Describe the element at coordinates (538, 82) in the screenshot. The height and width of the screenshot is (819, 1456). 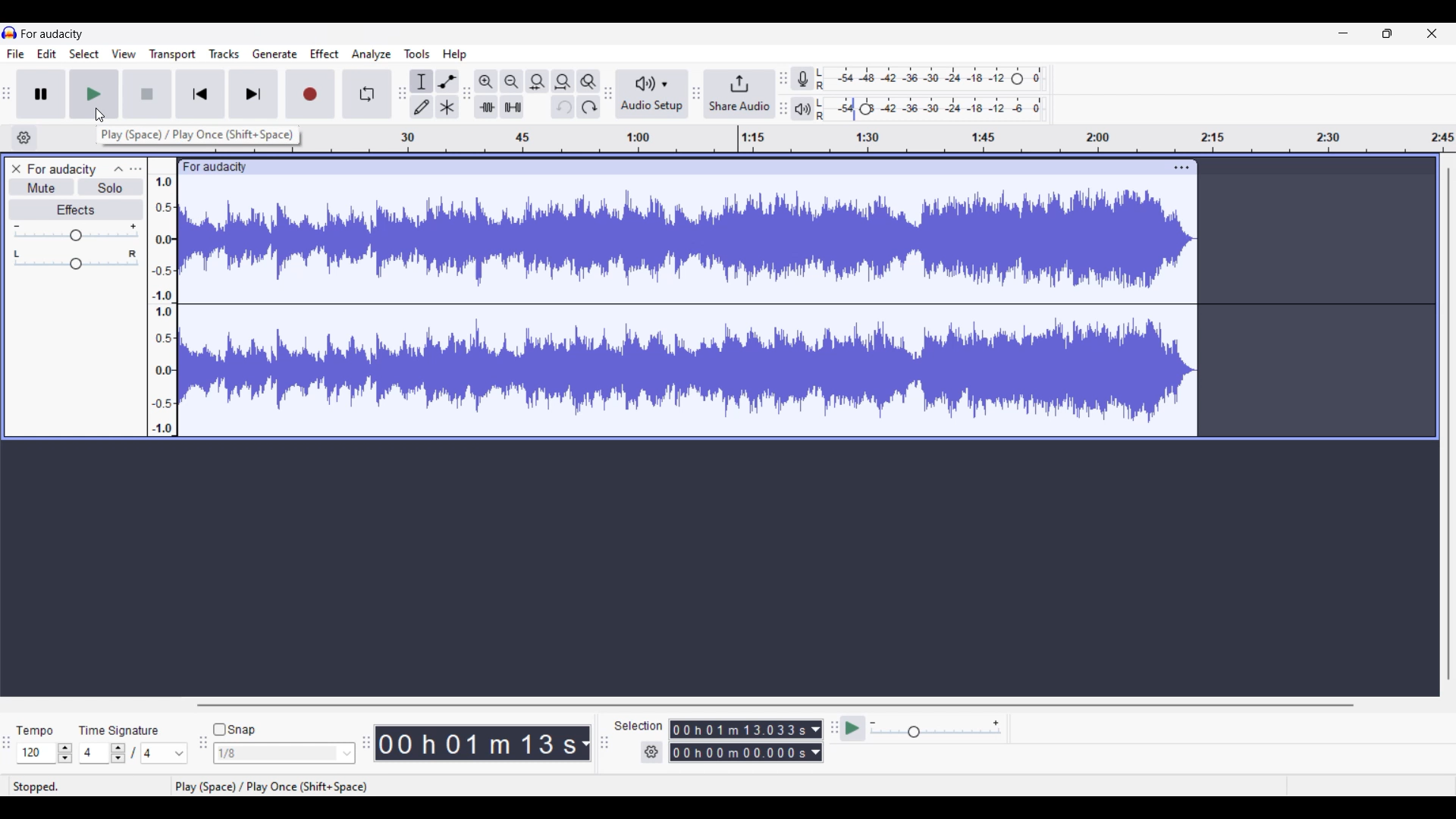
I see `Fit selection to width` at that location.